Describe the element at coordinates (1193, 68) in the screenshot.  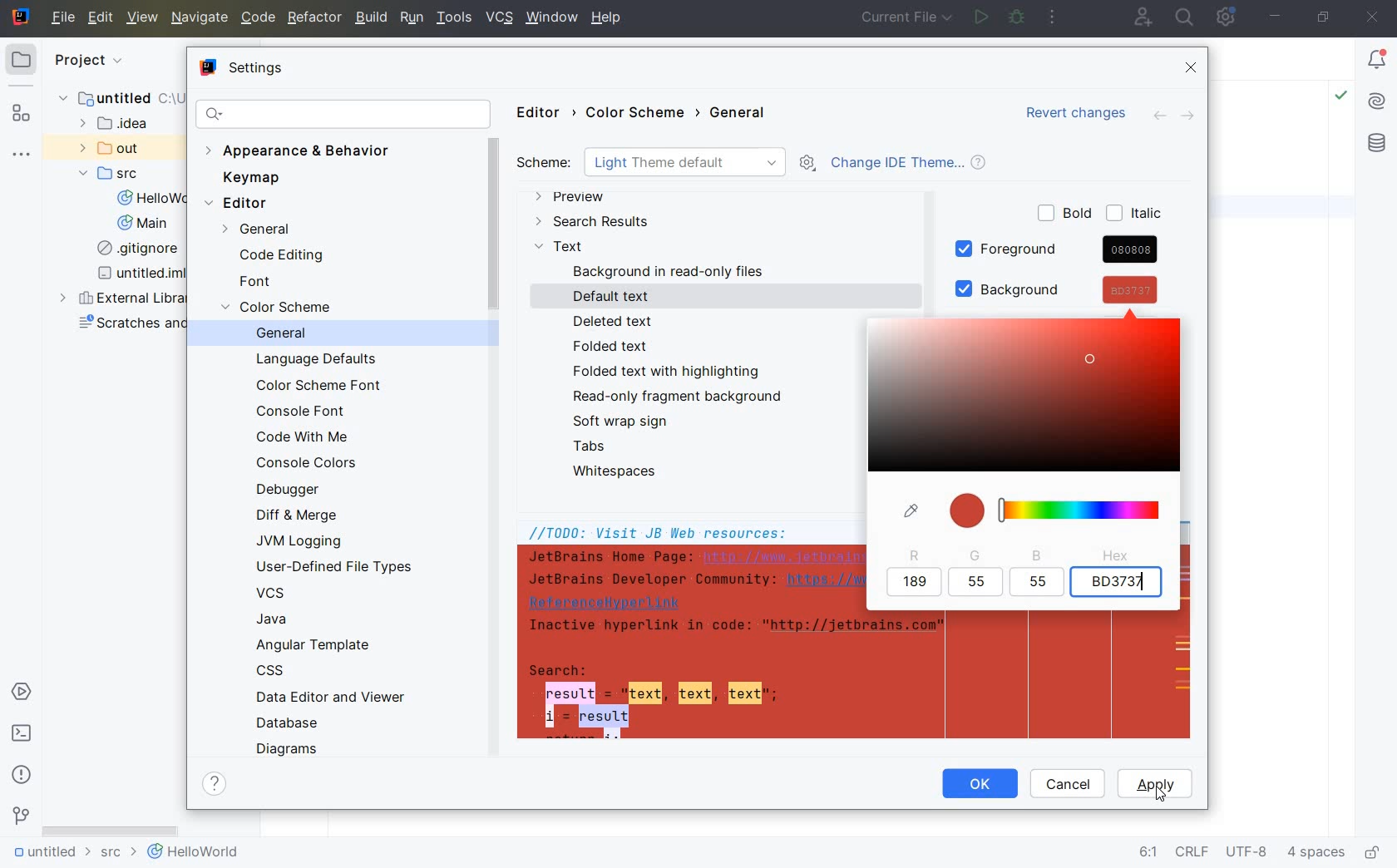
I see `CLOSE` at that location.